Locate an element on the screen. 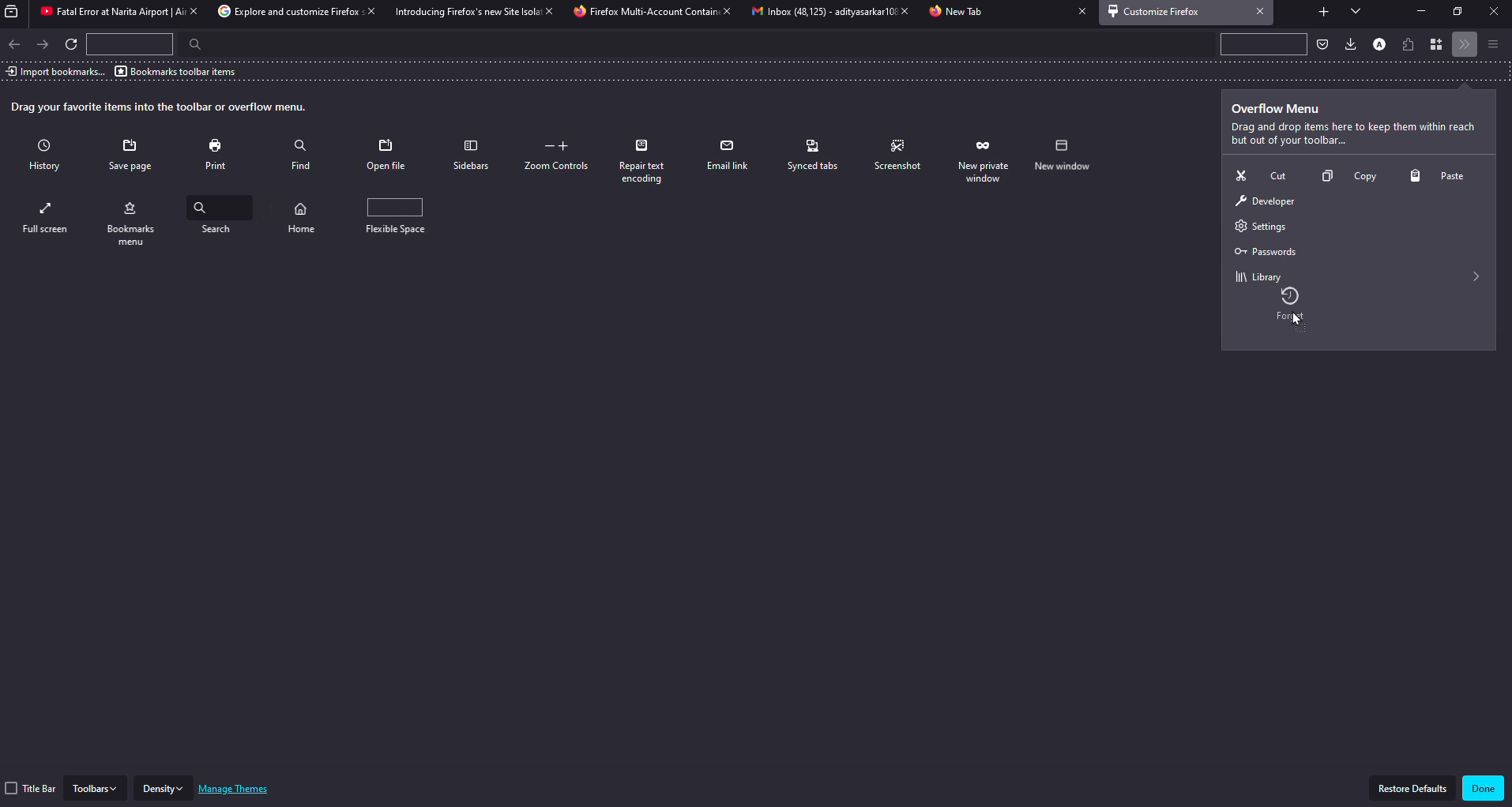  find is located at coordinates (301, 152).